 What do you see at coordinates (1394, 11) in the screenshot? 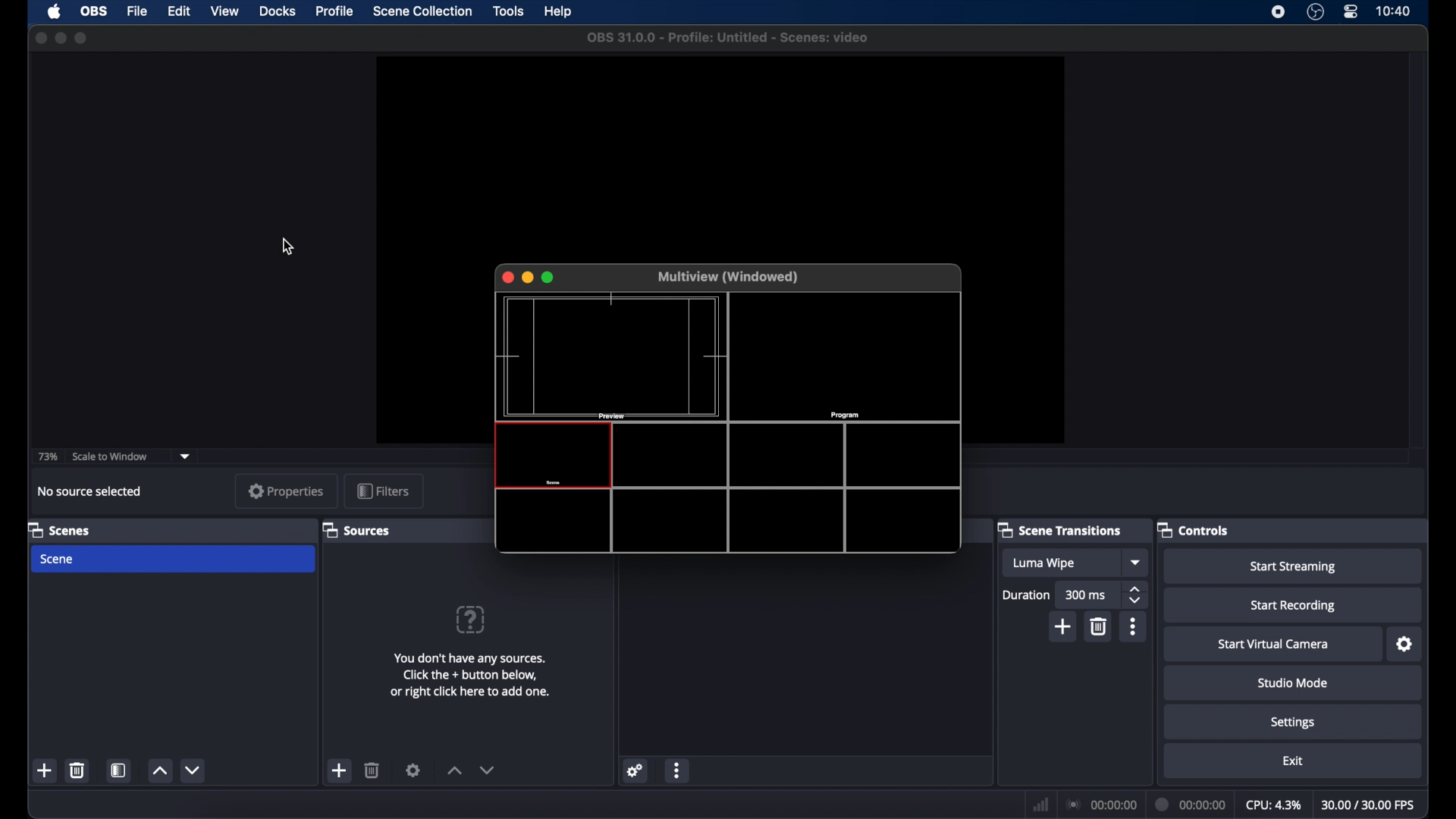
I see `10:40` at bounding box center [1394, 11].